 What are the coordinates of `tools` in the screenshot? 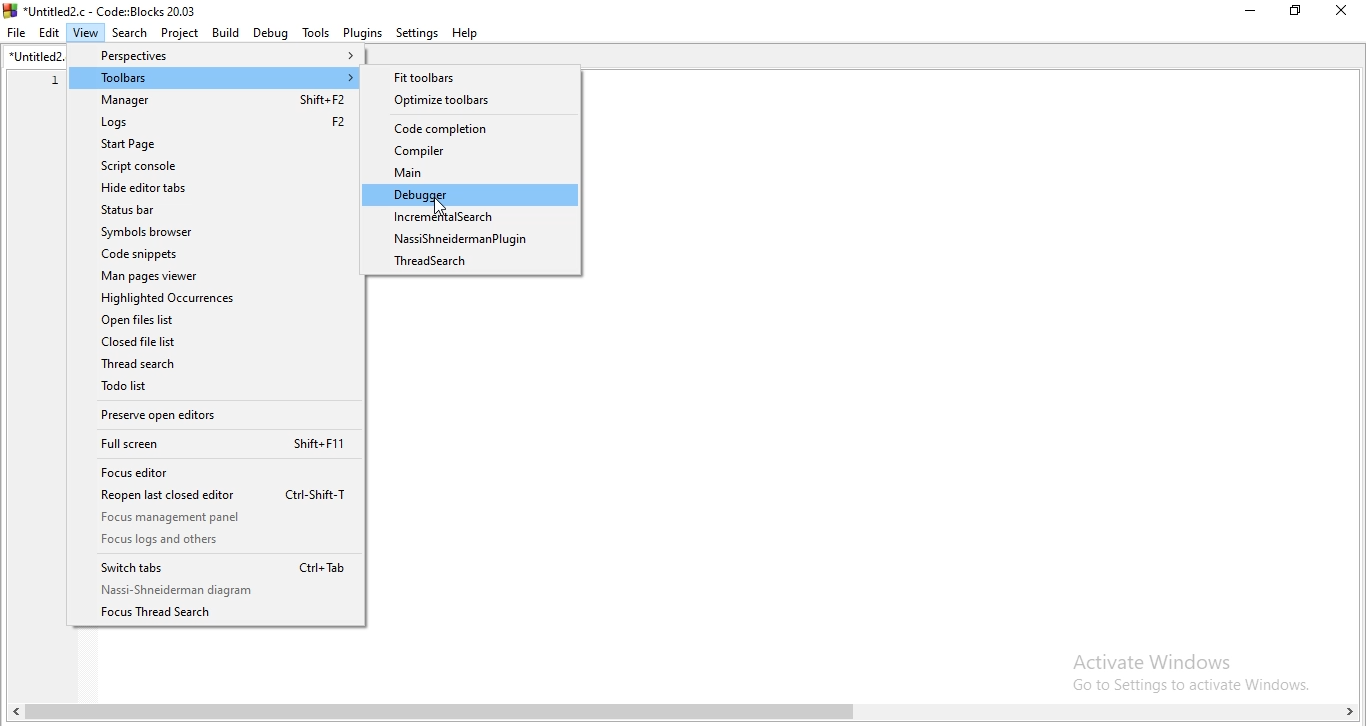 It's located at (315, 31).